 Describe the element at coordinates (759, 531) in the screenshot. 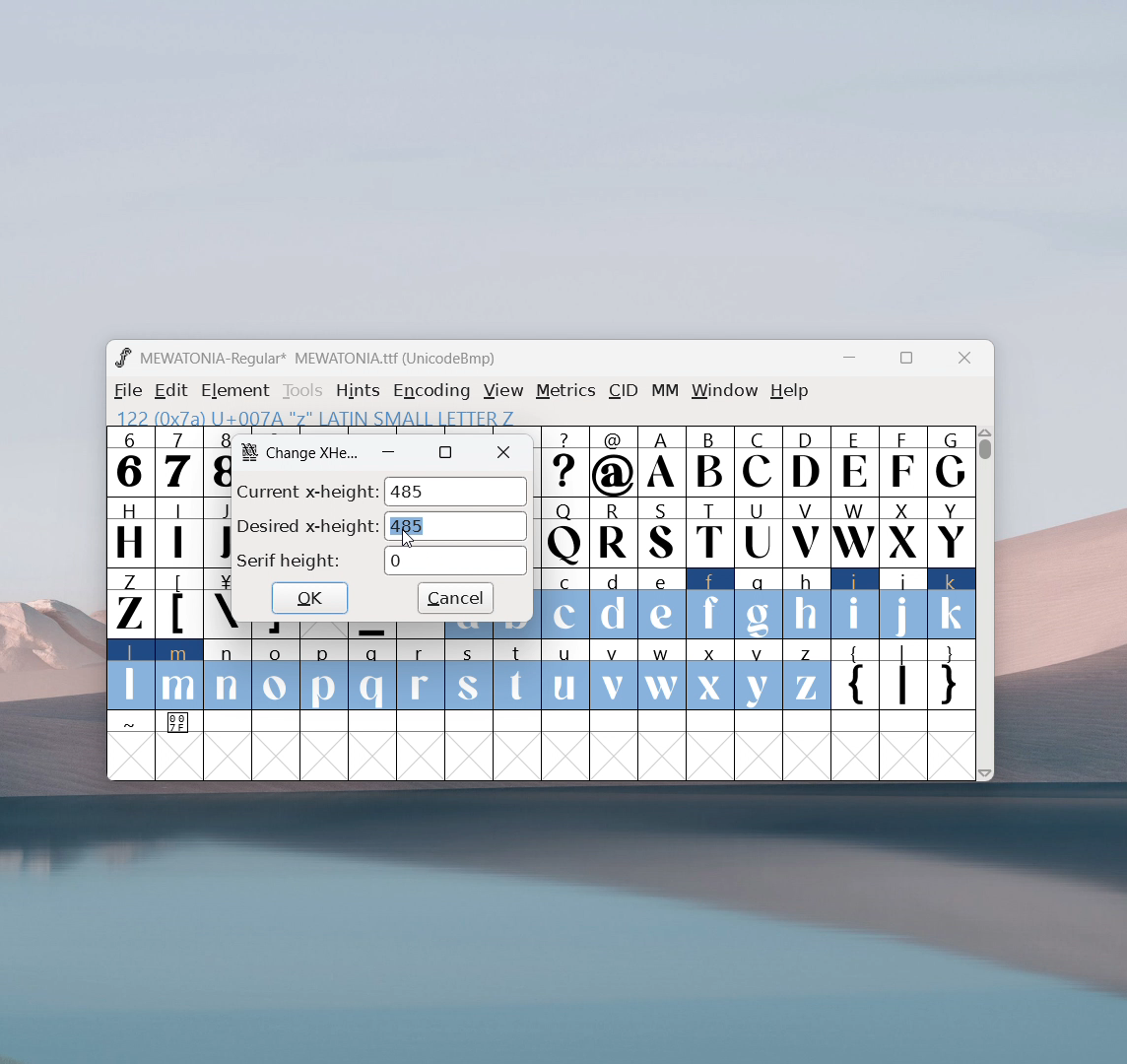

I see `U` at that location.